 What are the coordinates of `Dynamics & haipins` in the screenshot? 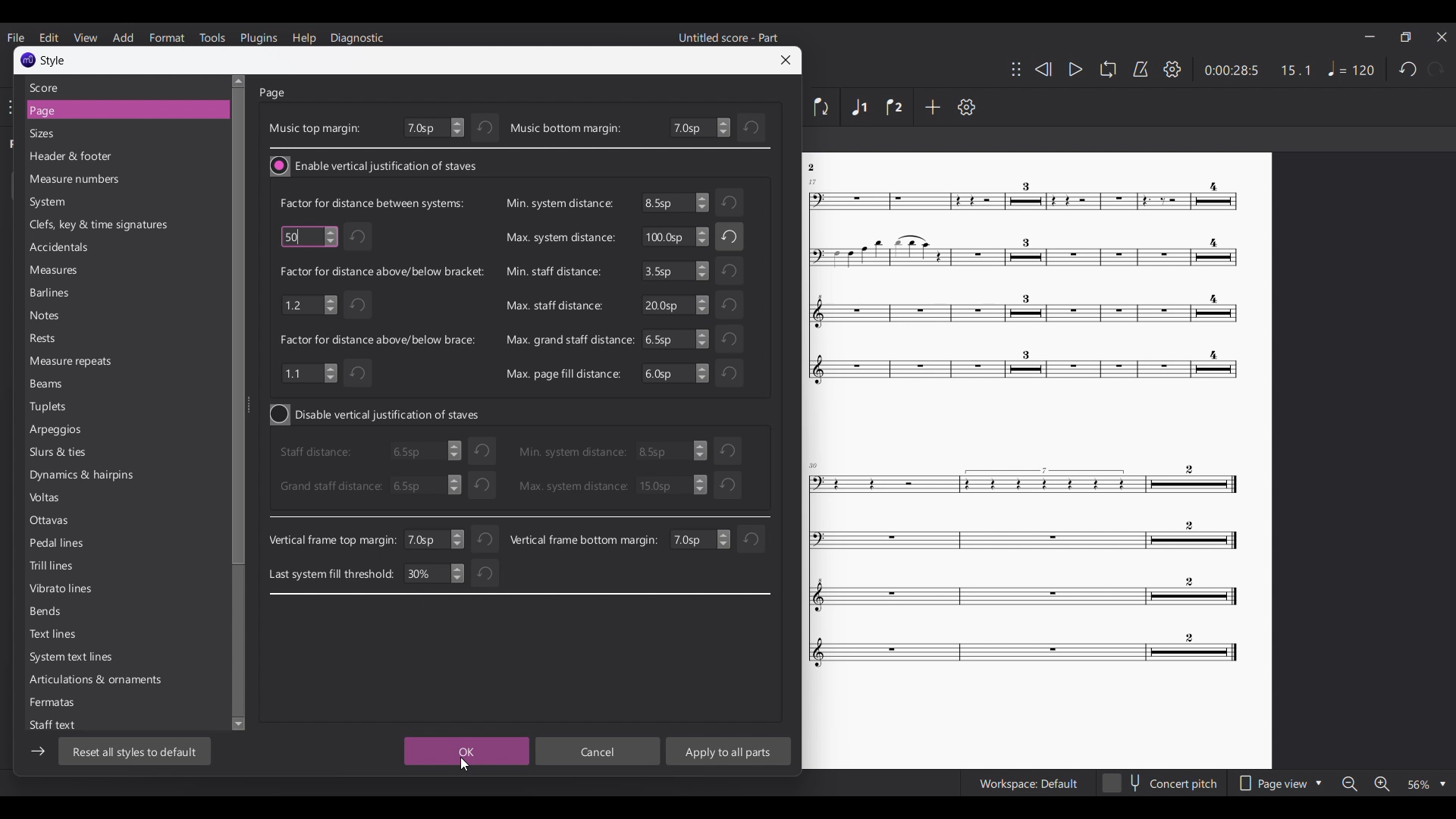 It's located at (84, 479).